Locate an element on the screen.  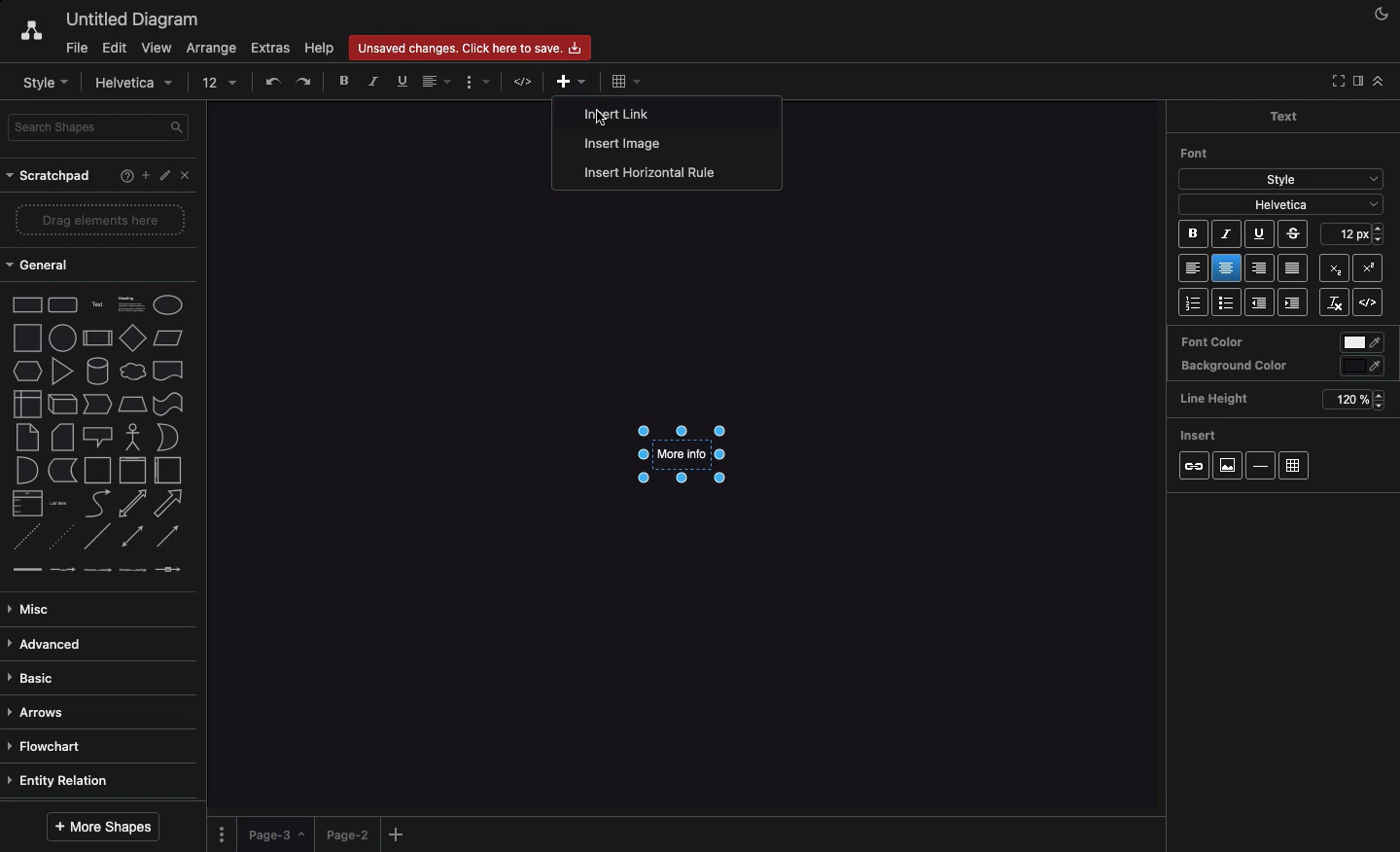
square is located at coordinates (27, 337).